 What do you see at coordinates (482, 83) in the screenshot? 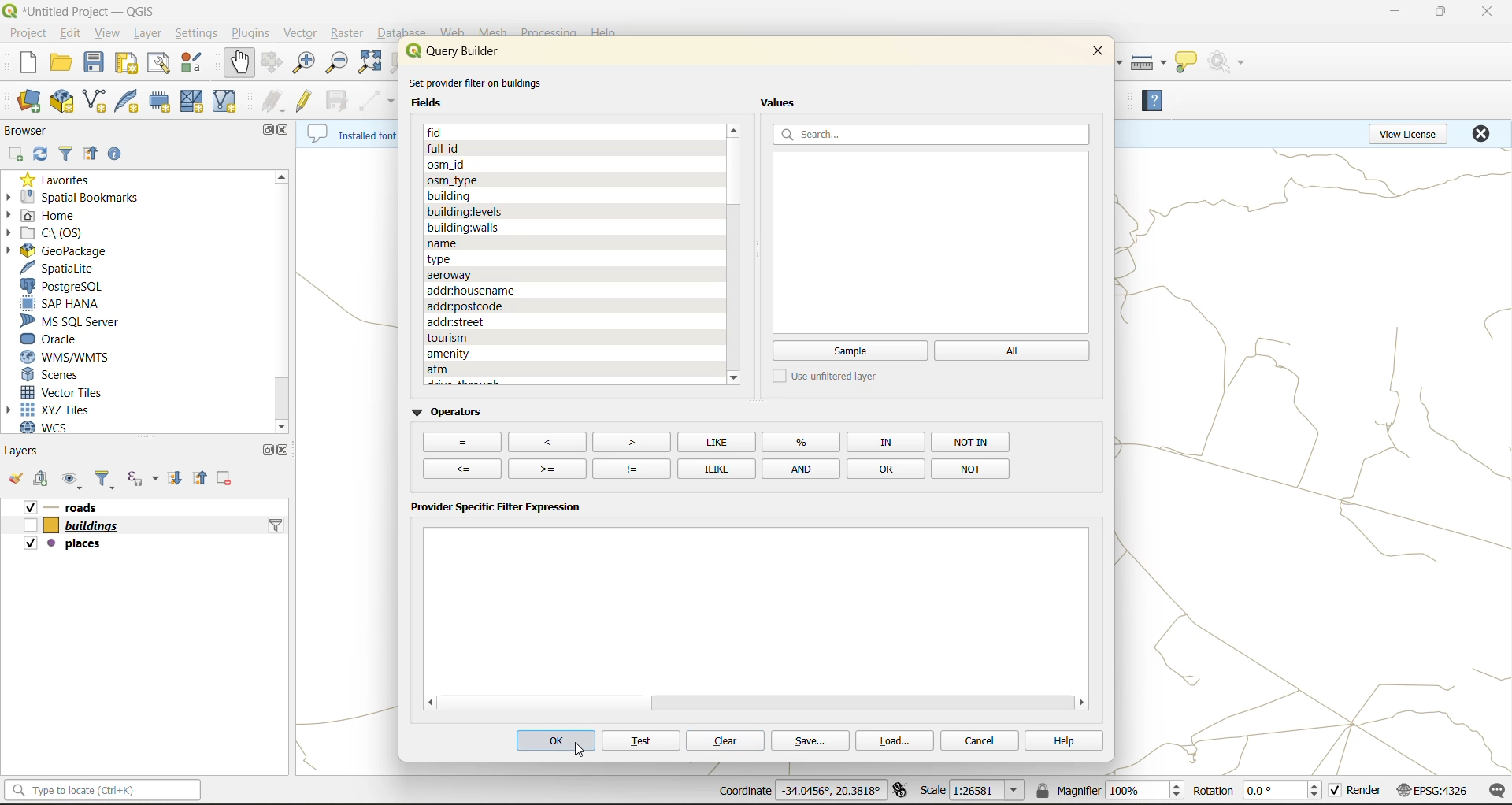
I see `set provider filter on buildings` at bounding box center [482, 83].